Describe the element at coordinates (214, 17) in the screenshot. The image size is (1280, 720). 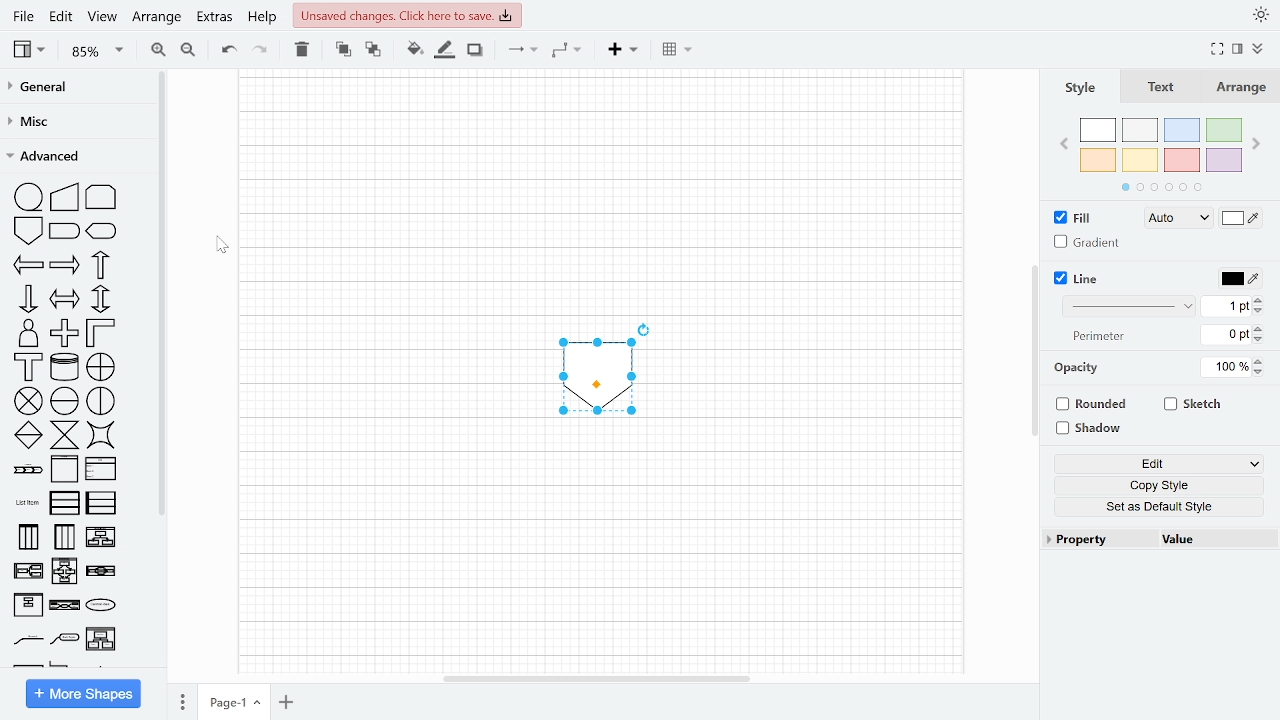
I see `Extras` at that location.